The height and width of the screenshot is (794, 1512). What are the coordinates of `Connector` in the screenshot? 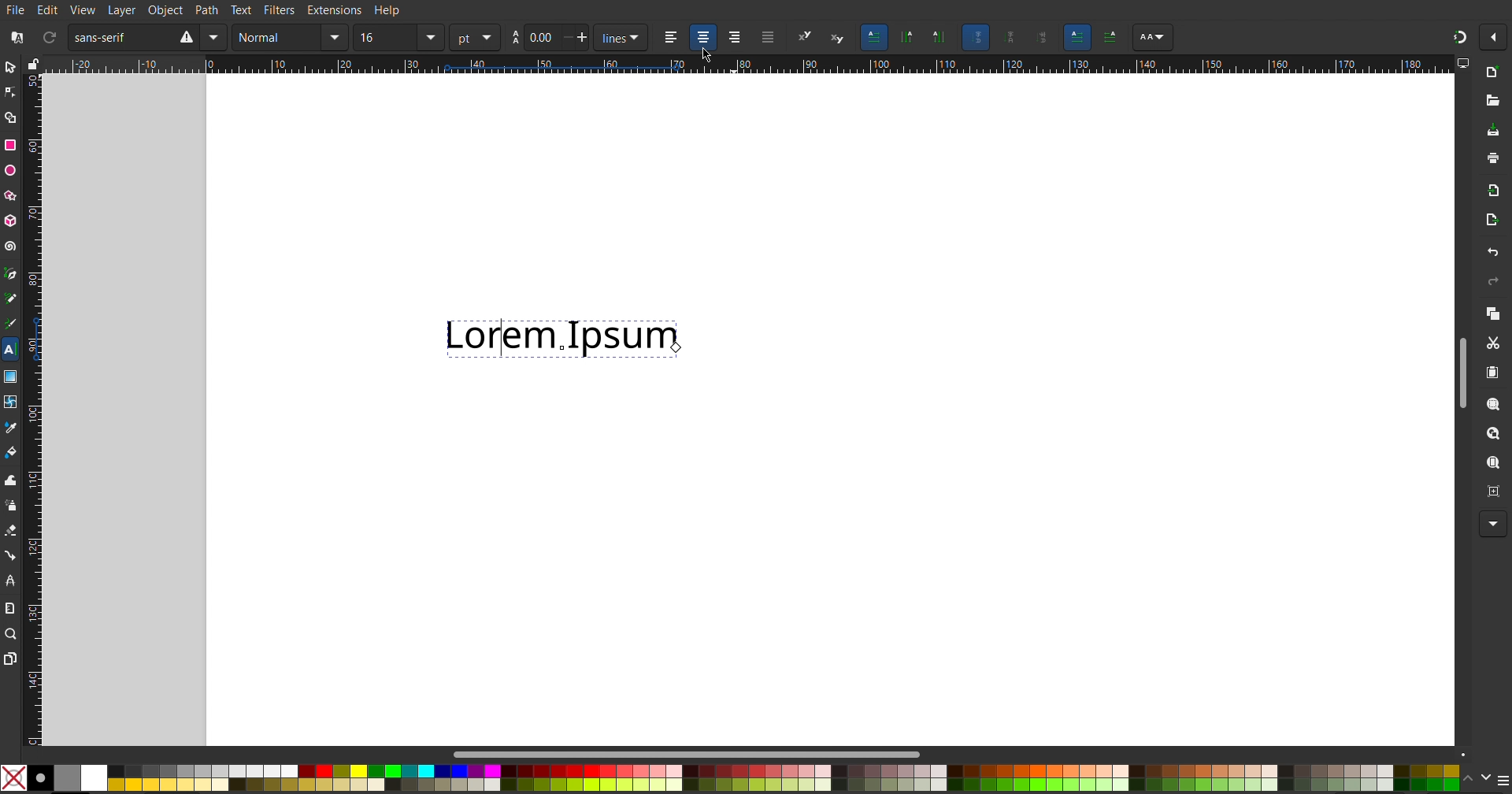 It's located at (13, 555).